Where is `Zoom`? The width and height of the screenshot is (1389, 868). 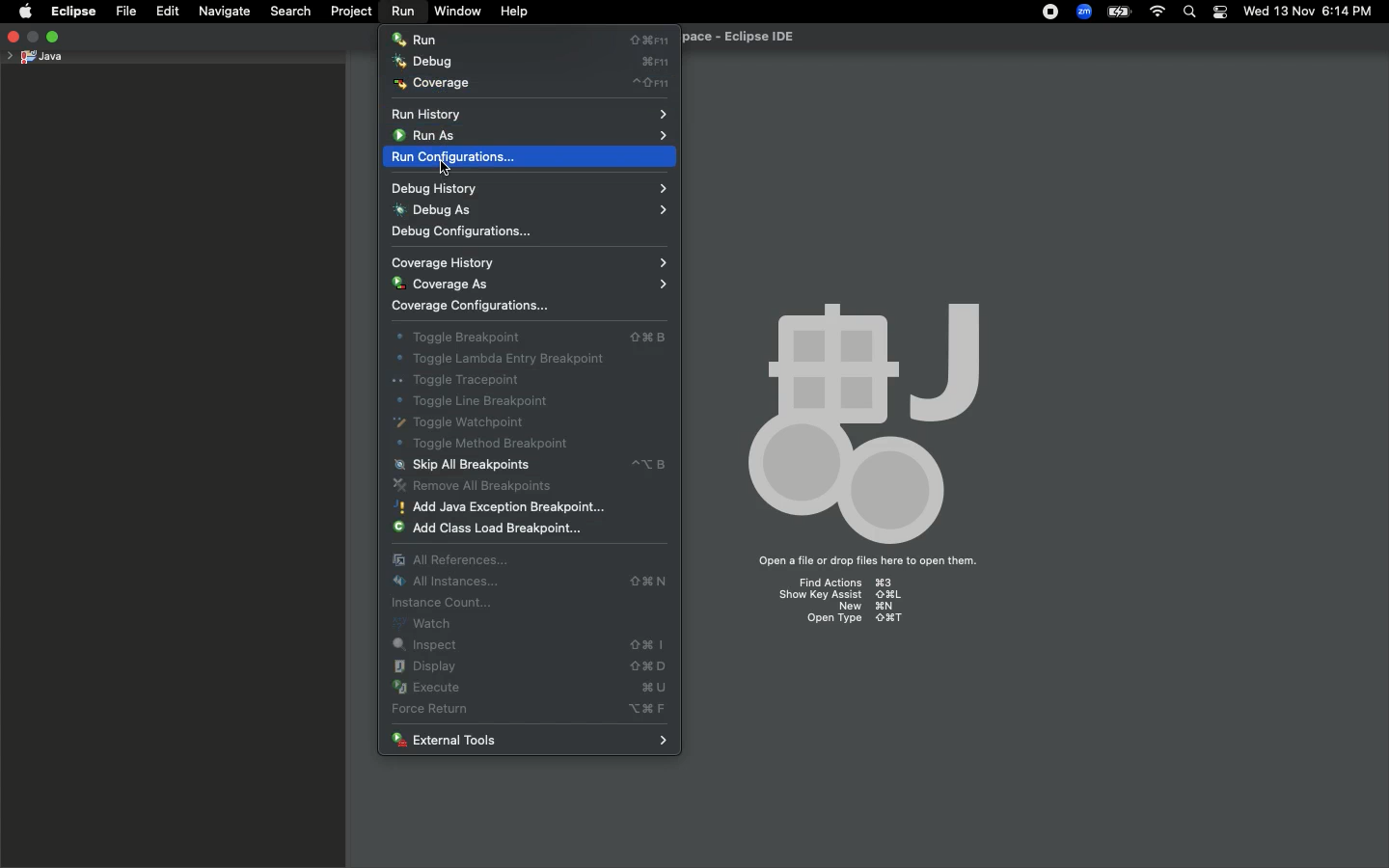
Zoom is located at coordinates (1081, 14).